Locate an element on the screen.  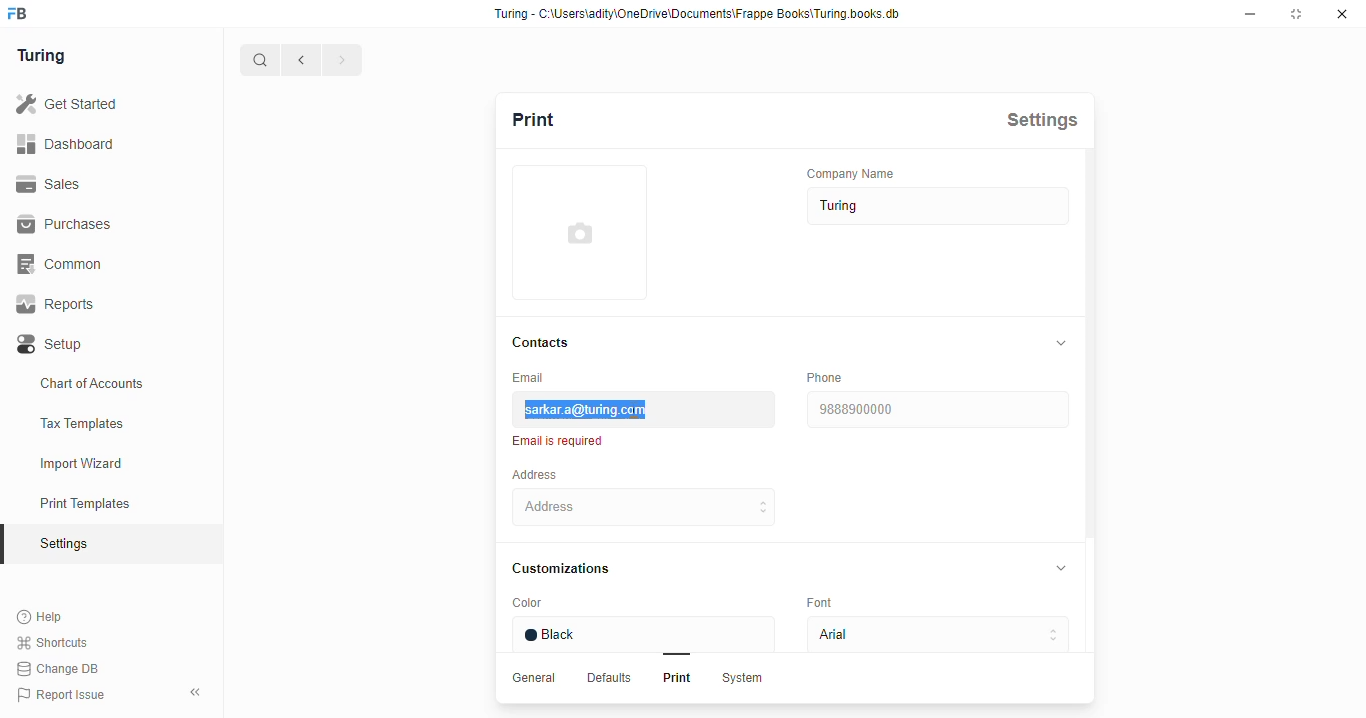
Avial is located at coordinates (933, 636).